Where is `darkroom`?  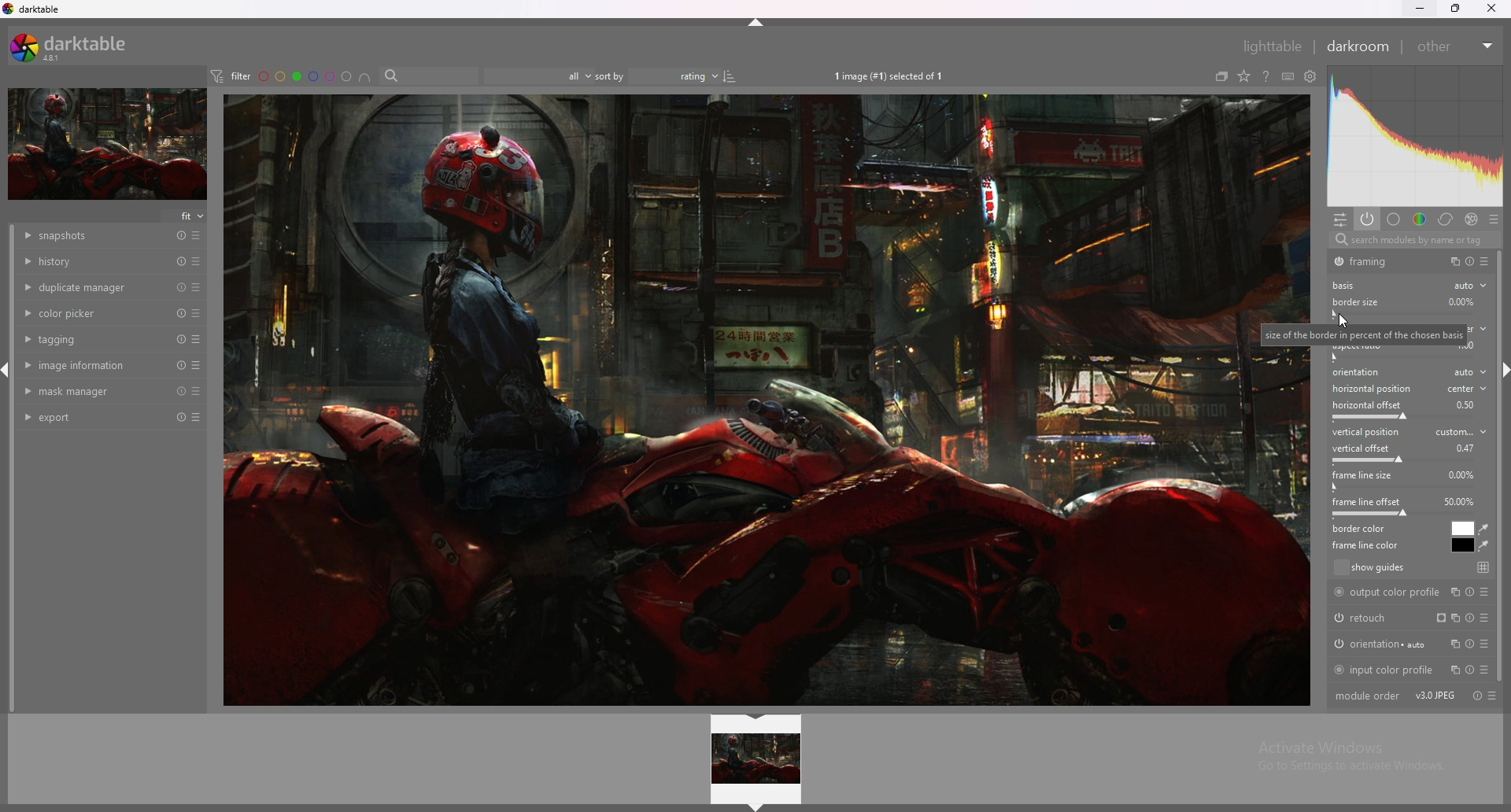 darkroom is located at coordinates (1357, 46).